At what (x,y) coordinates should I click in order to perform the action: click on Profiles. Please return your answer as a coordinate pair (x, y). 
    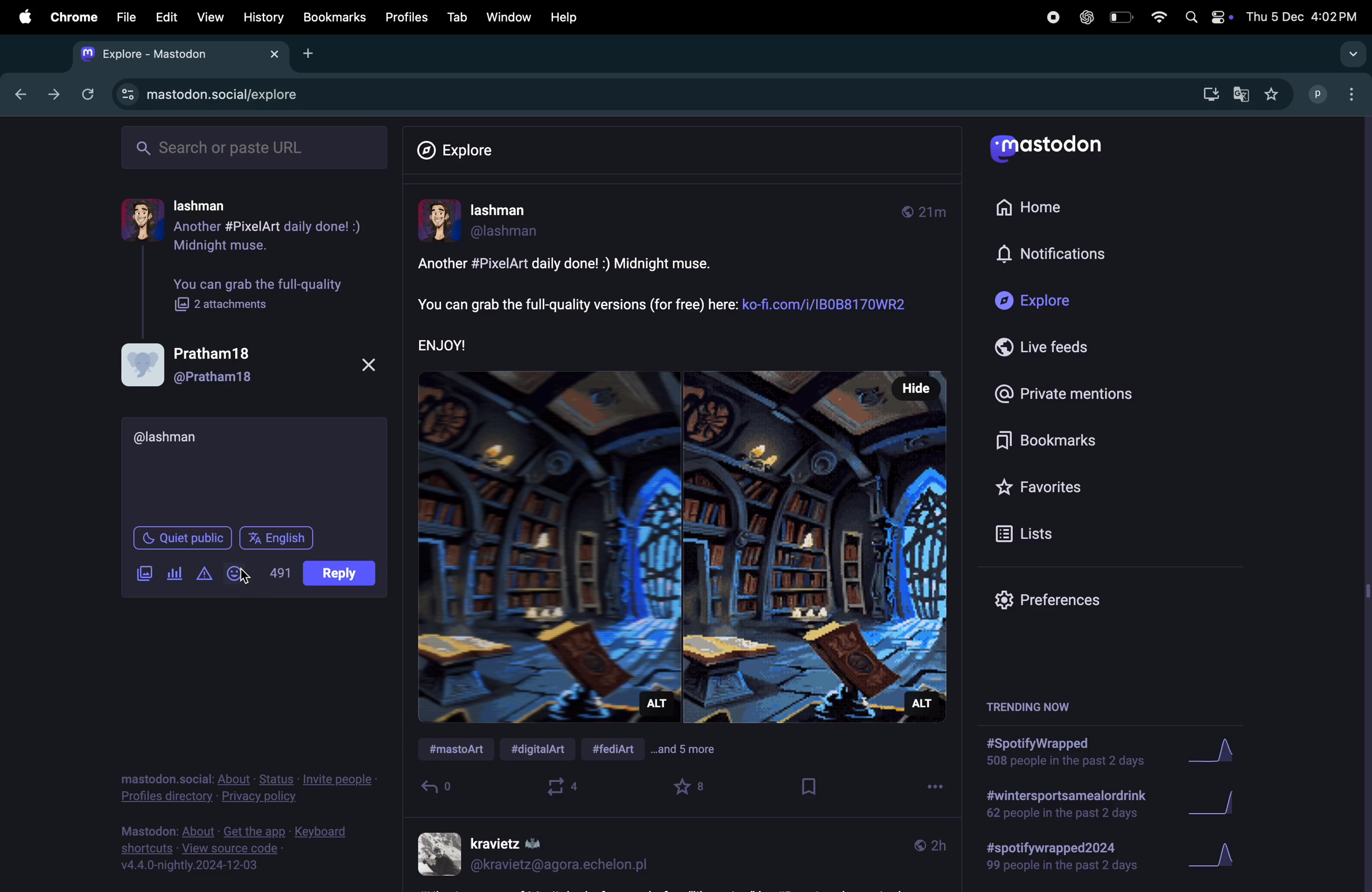
    Looking at the image, I should click on (408, 17).